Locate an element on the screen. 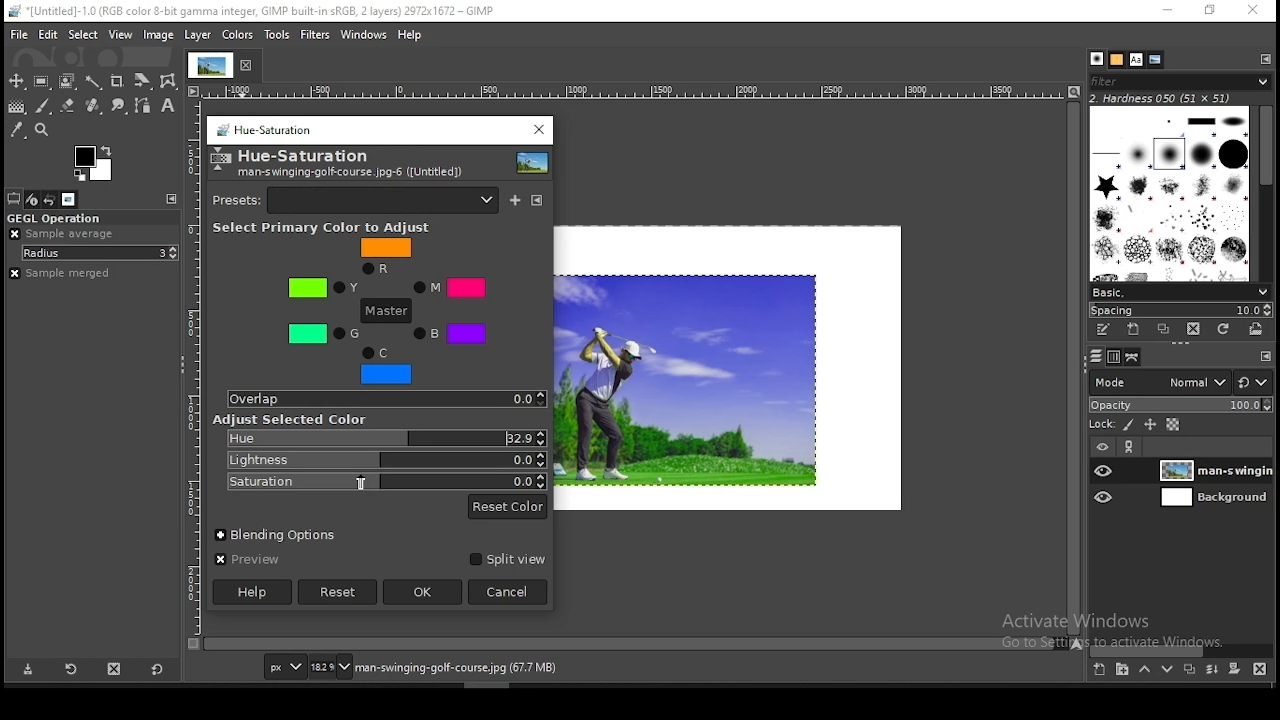 This screenshot has height=720, width=1280. brushes is located at coordinates (1095, 58).